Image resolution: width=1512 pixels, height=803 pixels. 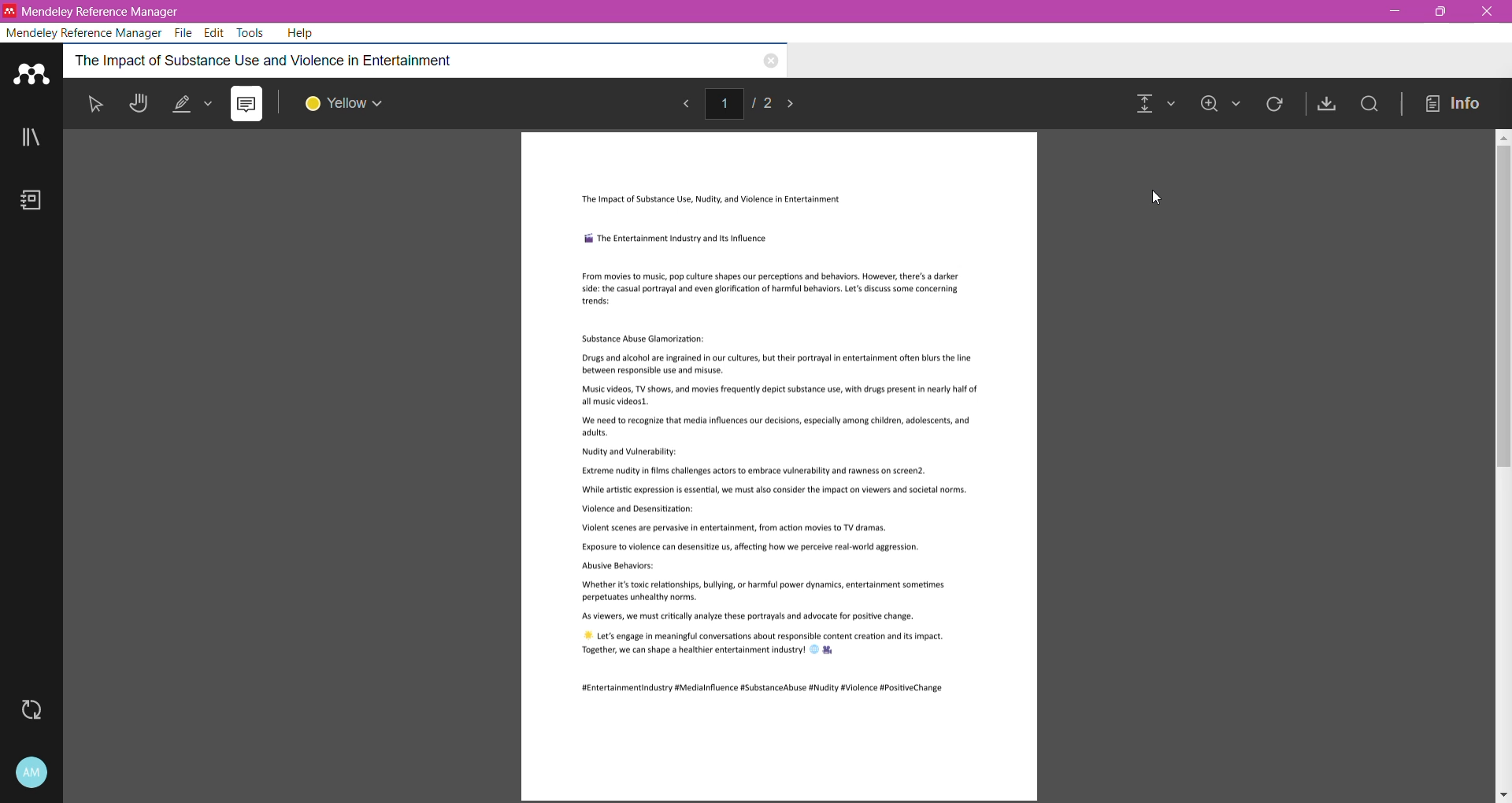 What do you see at coordinates (800, 105) in the screenshot?
I see `Go to next page` at bounding box center [800, 105].